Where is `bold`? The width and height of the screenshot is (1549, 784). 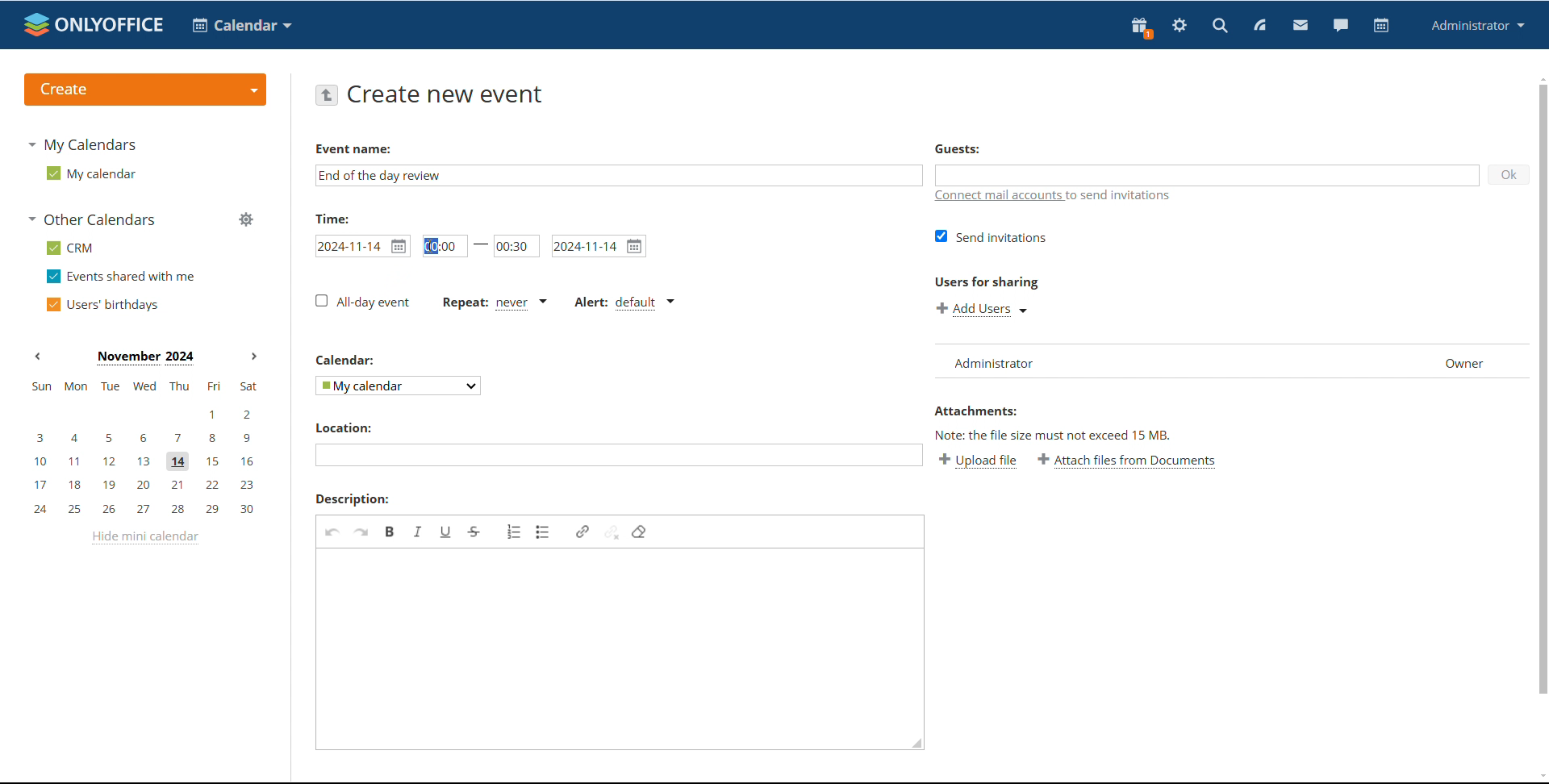 bold is located at coordinates (390, 531).